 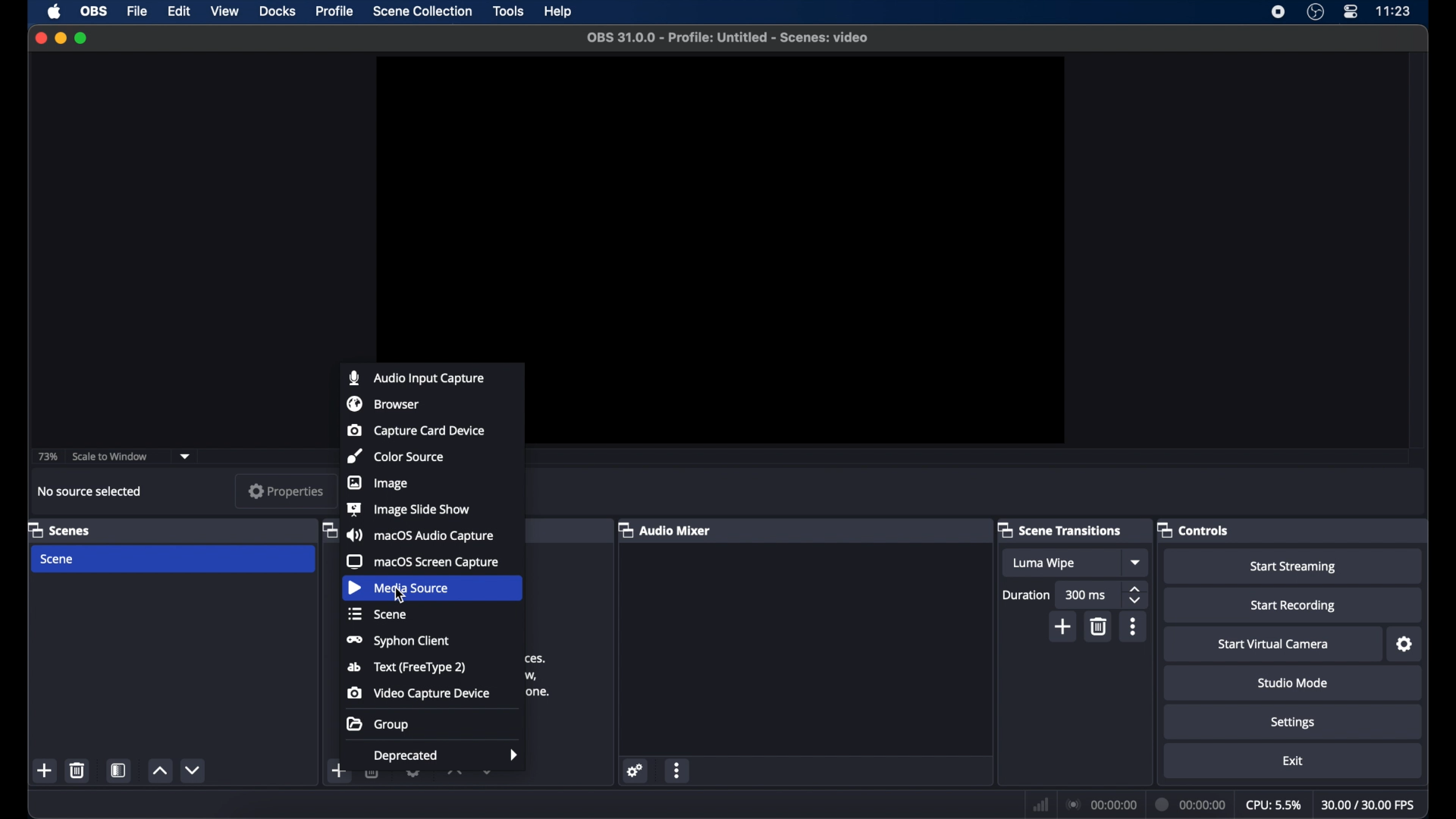 I want to click on macOS audio capture, so click(x=419, y=535).